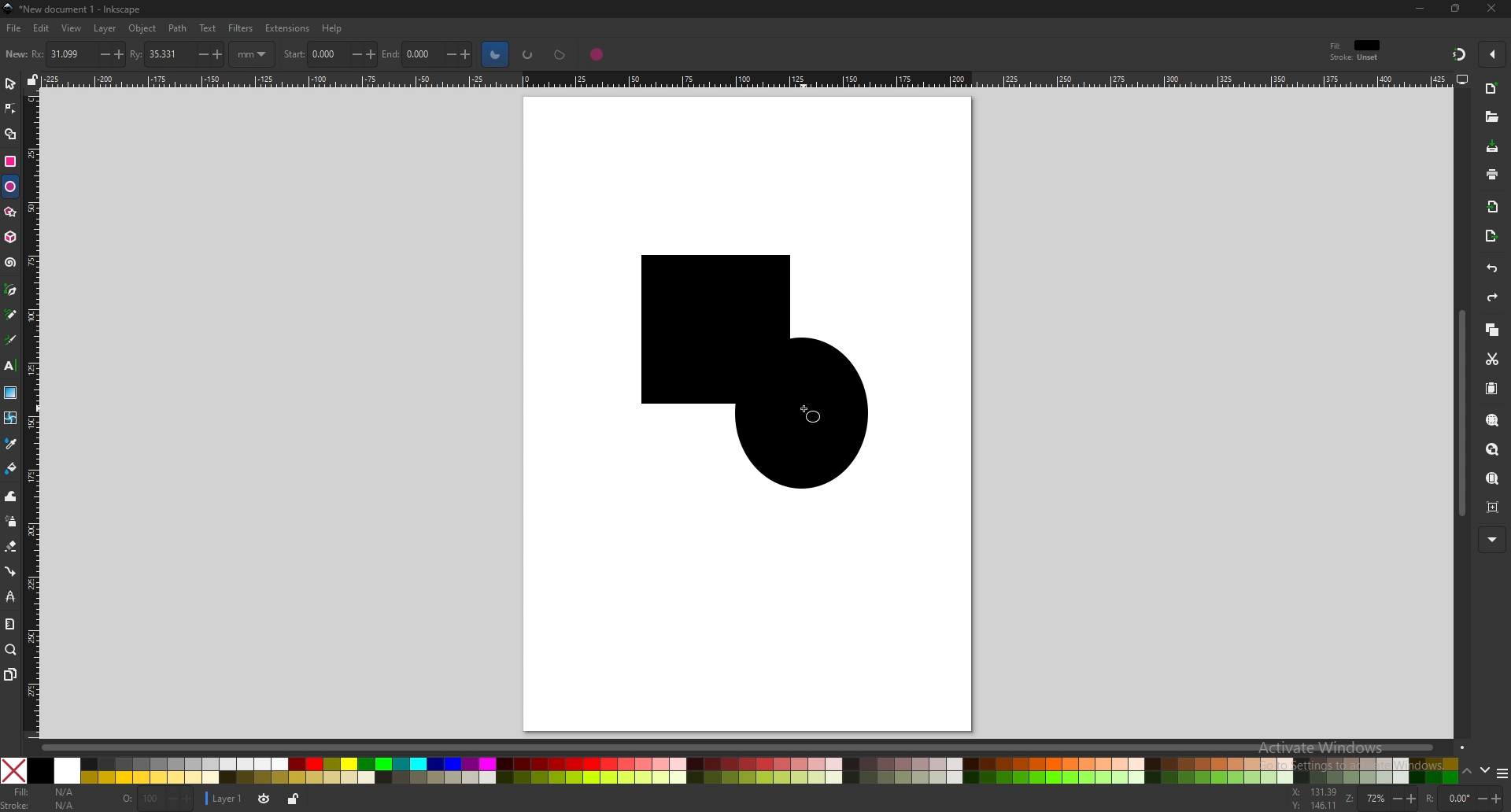 This screenshot has height=812, width=1511. I want to click on cursor coordinates, so click(1314, 799).